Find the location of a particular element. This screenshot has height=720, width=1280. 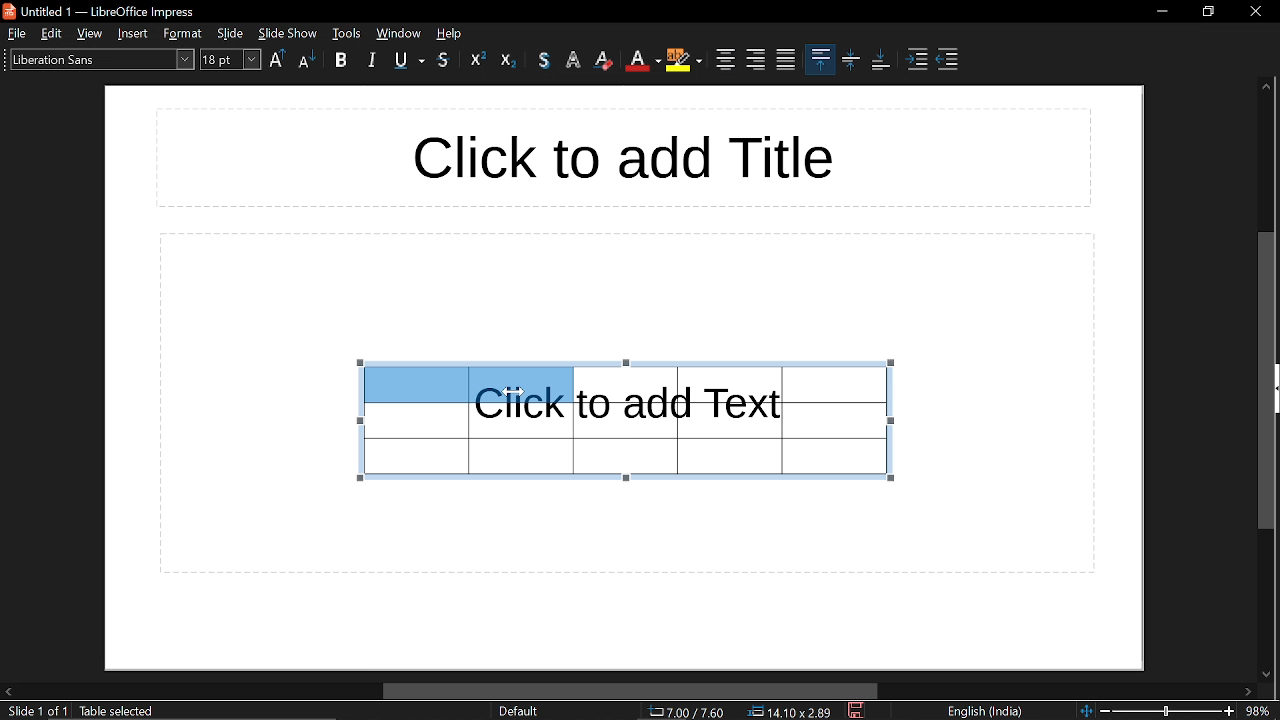

vertical scrollbar is located at coordinates (1266, 380).